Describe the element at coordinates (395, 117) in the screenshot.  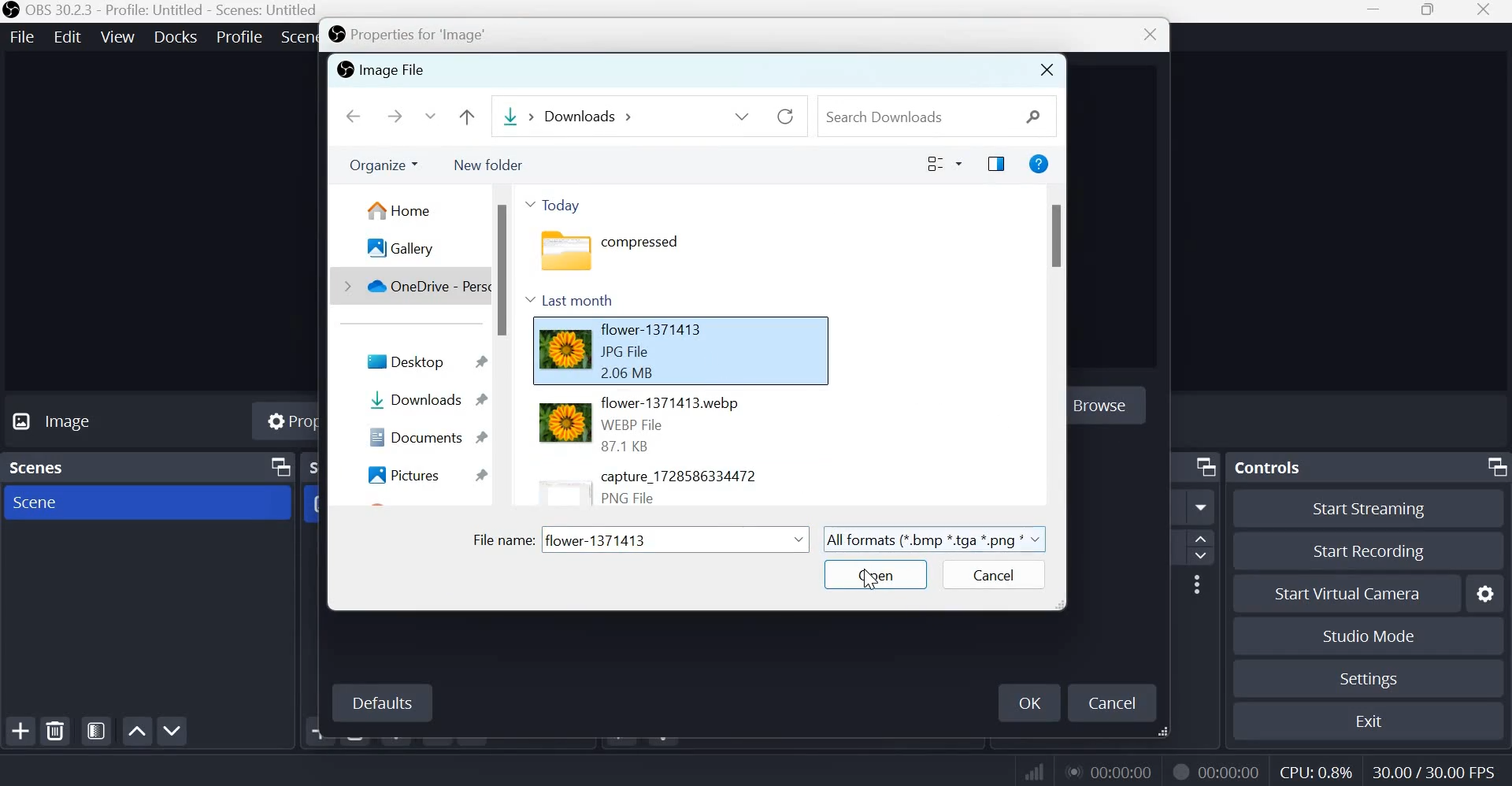
I see `forward` at that location.